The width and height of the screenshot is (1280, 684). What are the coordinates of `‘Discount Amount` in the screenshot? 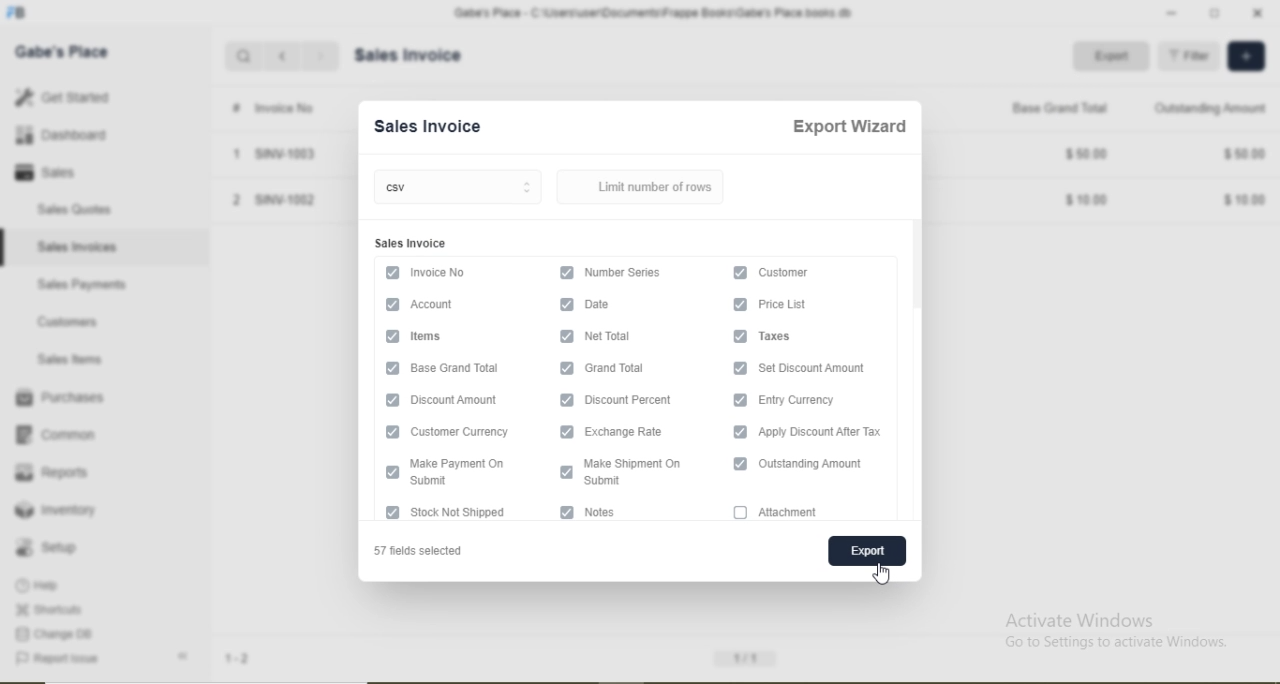 It's located at (463, 401).